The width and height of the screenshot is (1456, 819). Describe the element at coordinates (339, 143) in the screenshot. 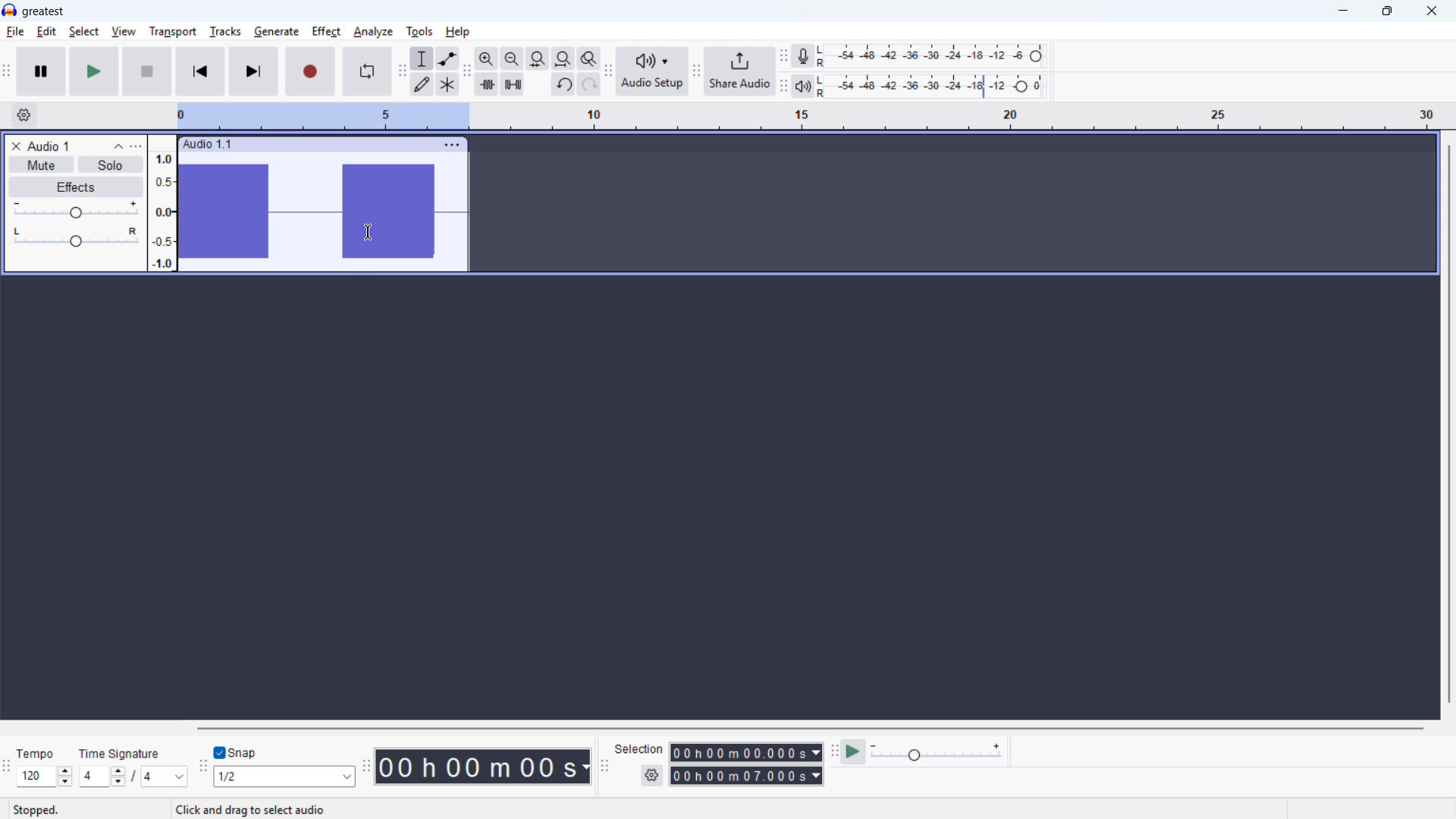

I see `Click to drag ` at that location.